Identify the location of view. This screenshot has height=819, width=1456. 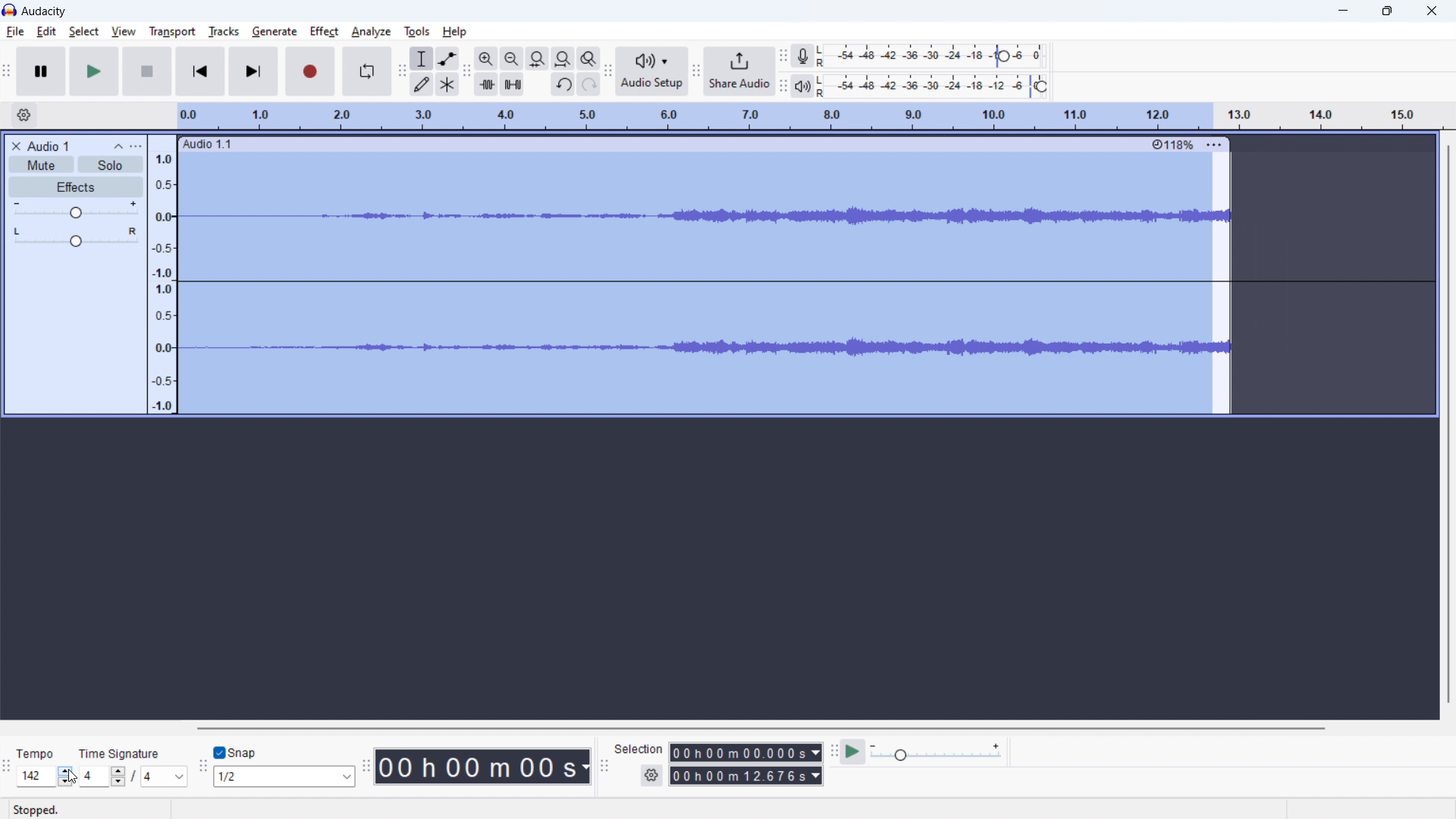
(124, 31).